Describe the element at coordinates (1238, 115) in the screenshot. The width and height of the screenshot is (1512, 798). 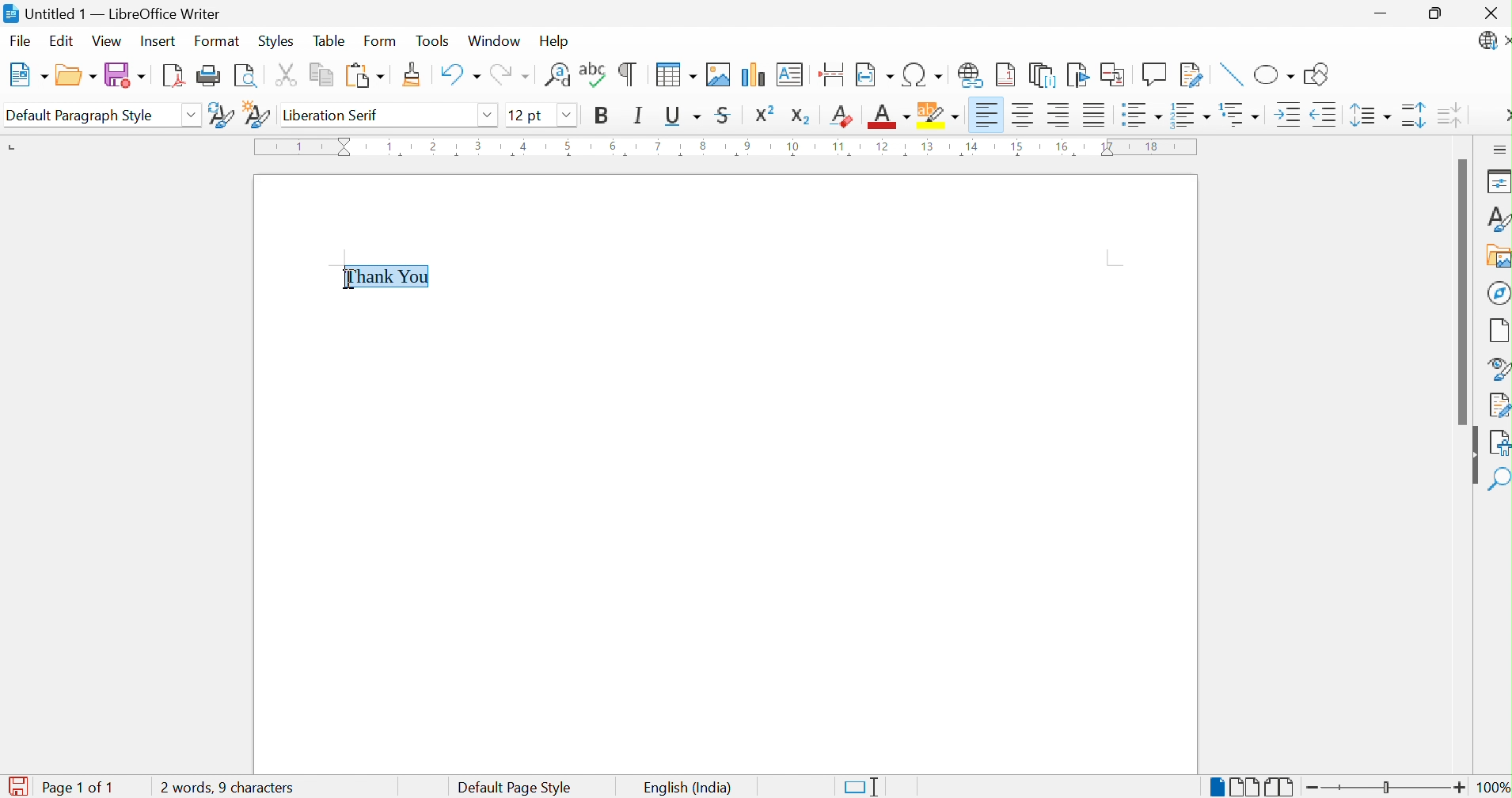
I see `Select Outline Format` at that location.